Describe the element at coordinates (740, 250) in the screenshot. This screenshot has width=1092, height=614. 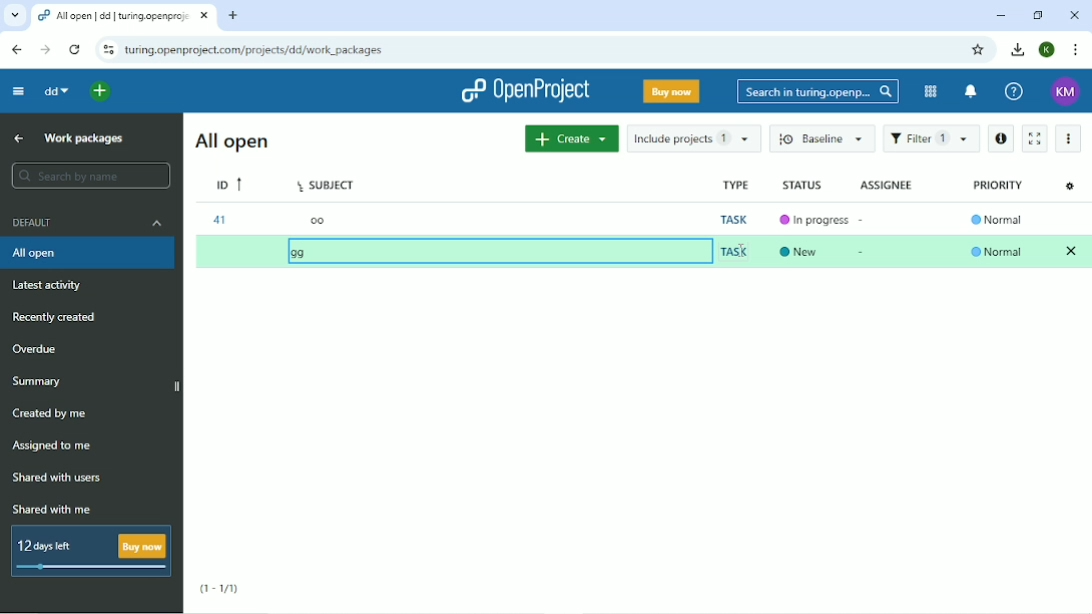
I see `Cursor` at that location.